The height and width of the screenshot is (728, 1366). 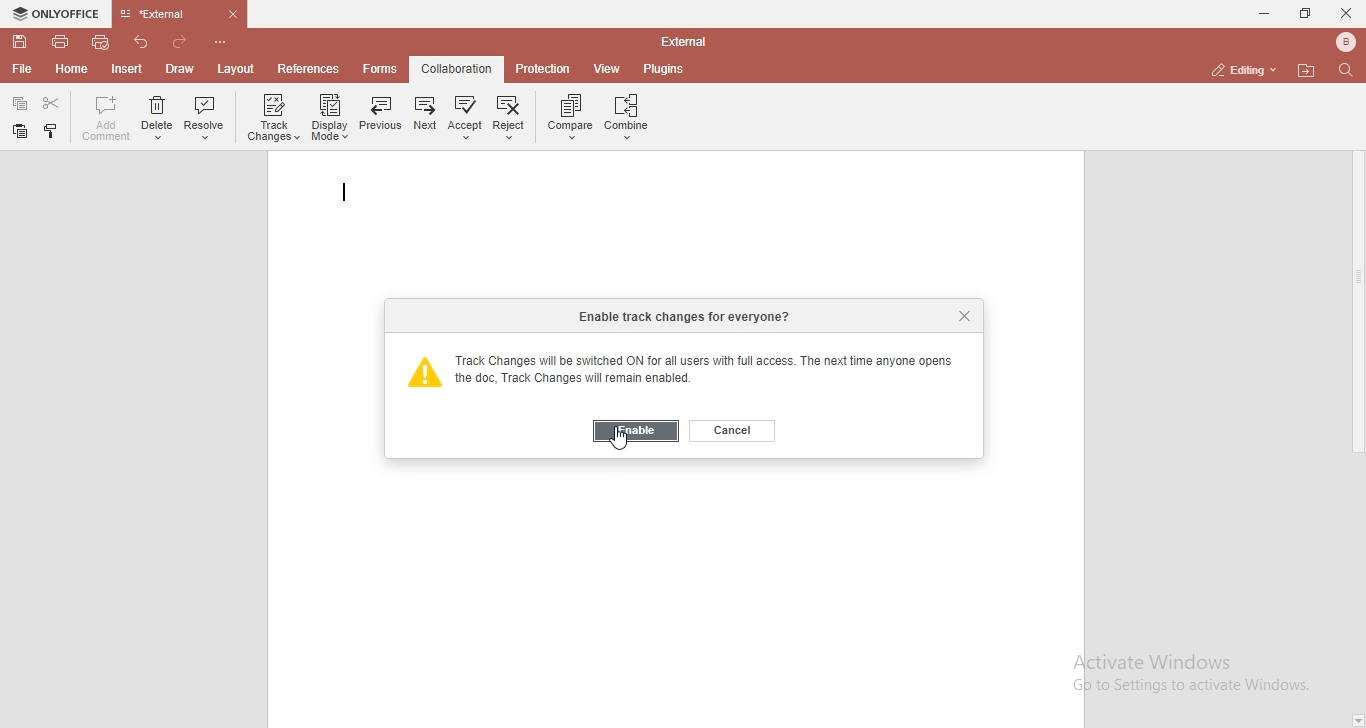 I want to click on cancel, so click(x=731, y=430).